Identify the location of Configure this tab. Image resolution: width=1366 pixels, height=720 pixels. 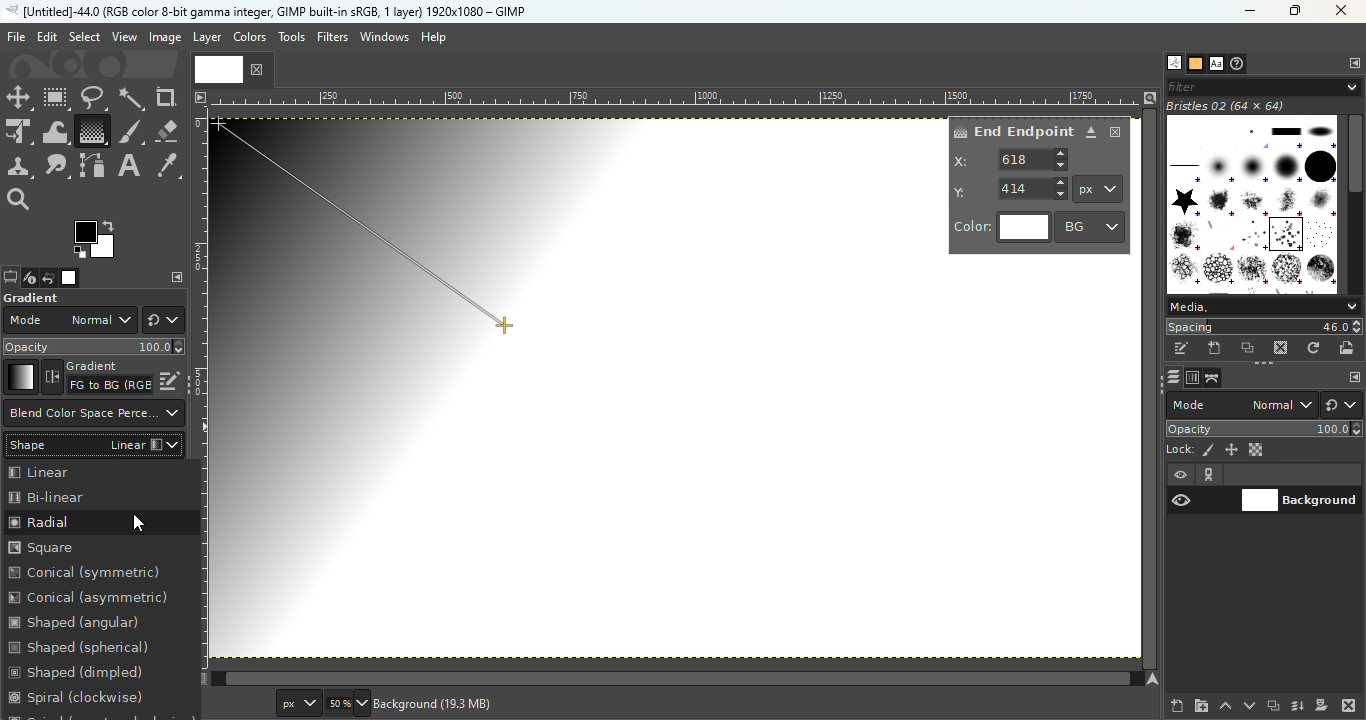
(1353, 378).